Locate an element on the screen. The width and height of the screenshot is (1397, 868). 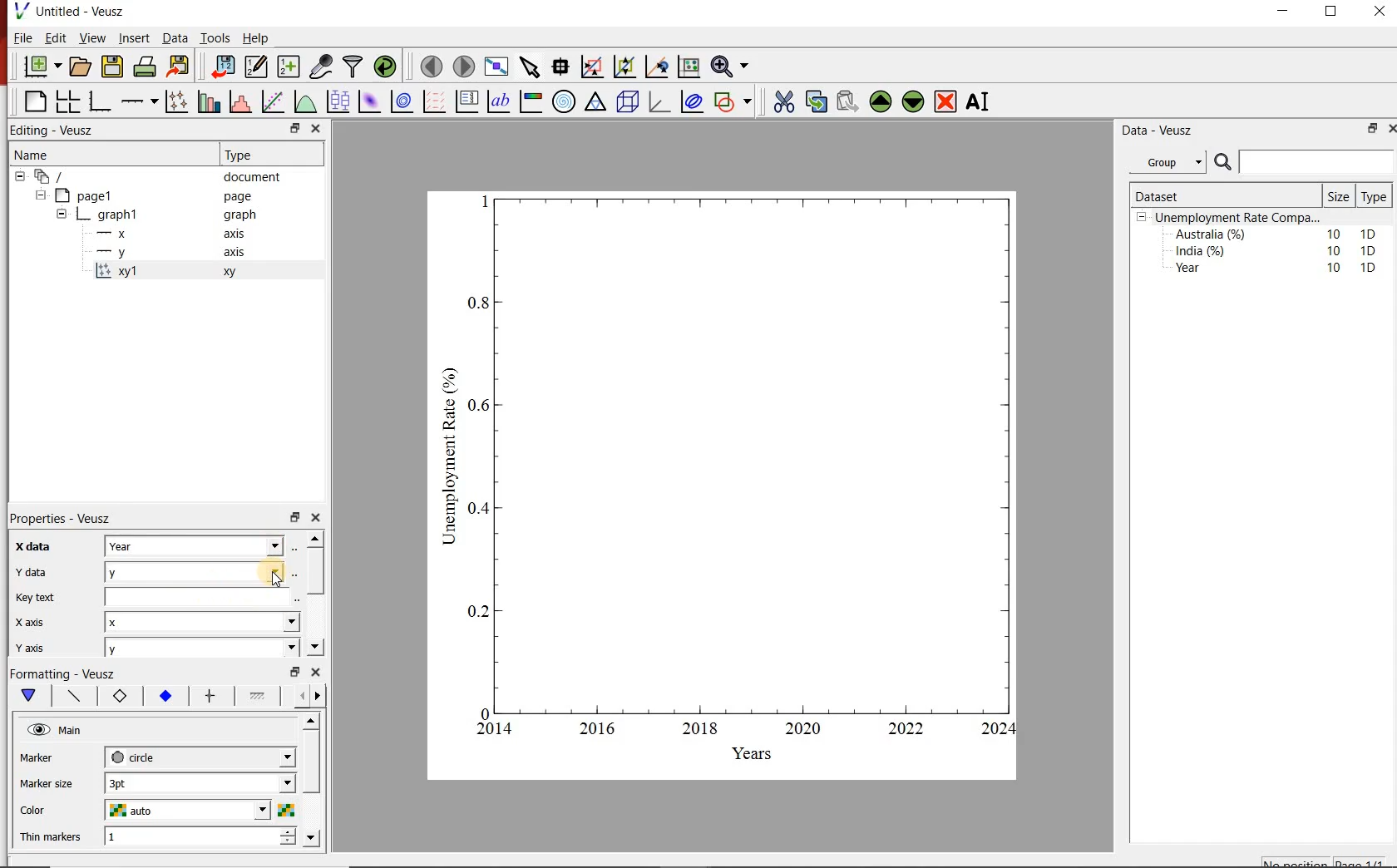
plot 2d datasets as contours is located at coordinates (401, 101).